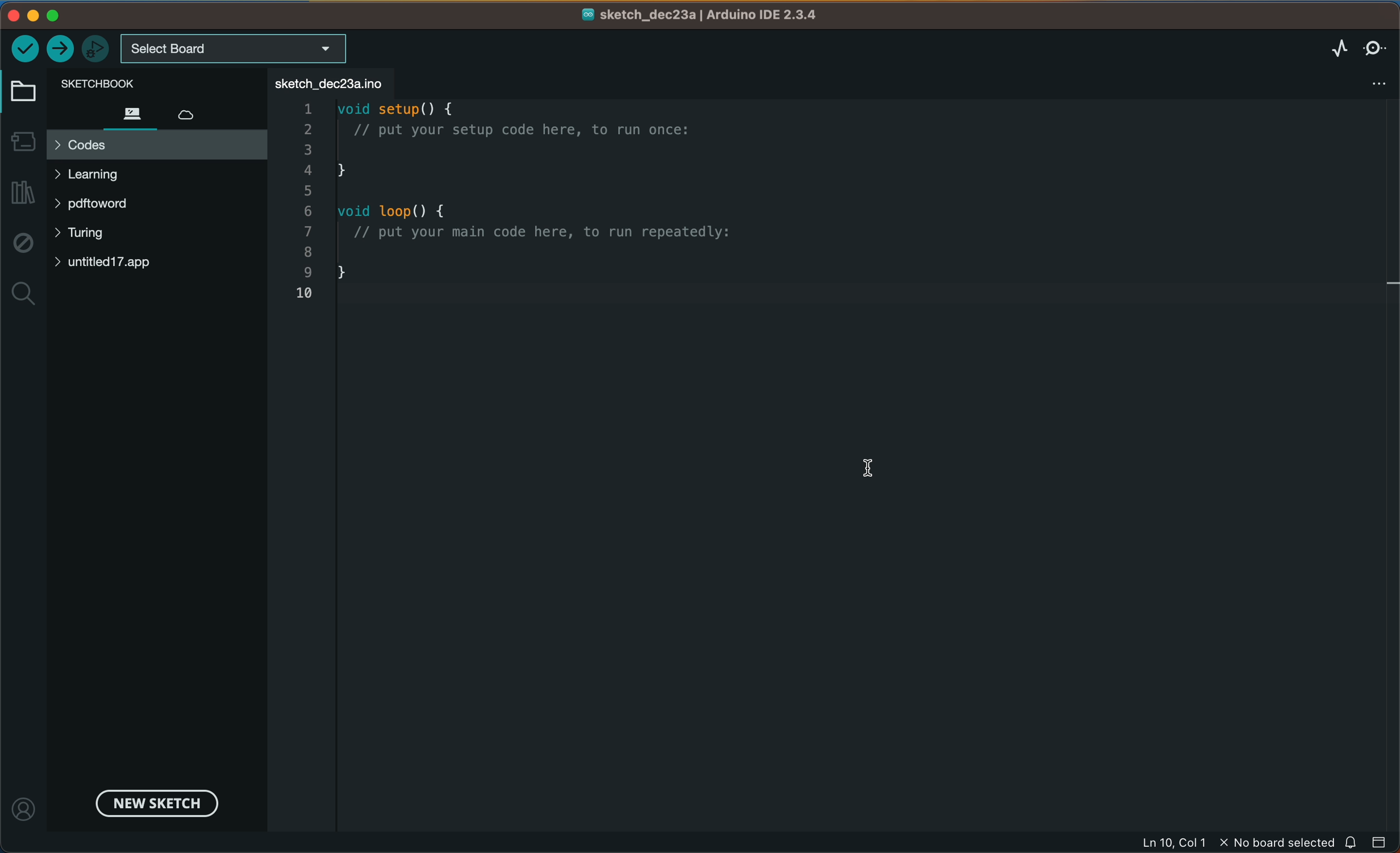 The height and width of the screenshot is (853, 1400). Describe the element at coordinates (58, 49) in the screenshot. I see `upload` at that location.